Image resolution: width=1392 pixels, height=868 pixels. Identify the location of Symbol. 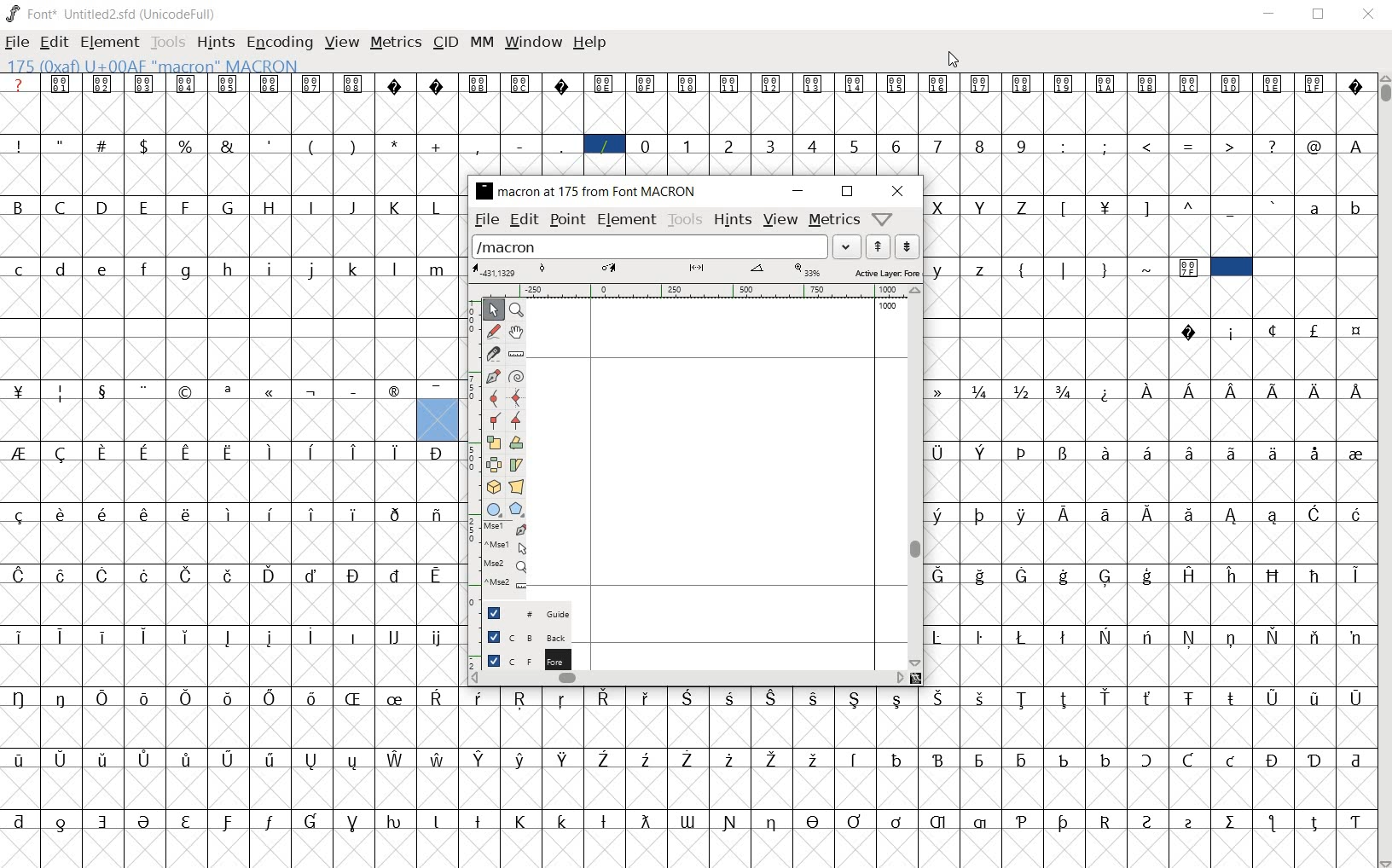
(397, 697).